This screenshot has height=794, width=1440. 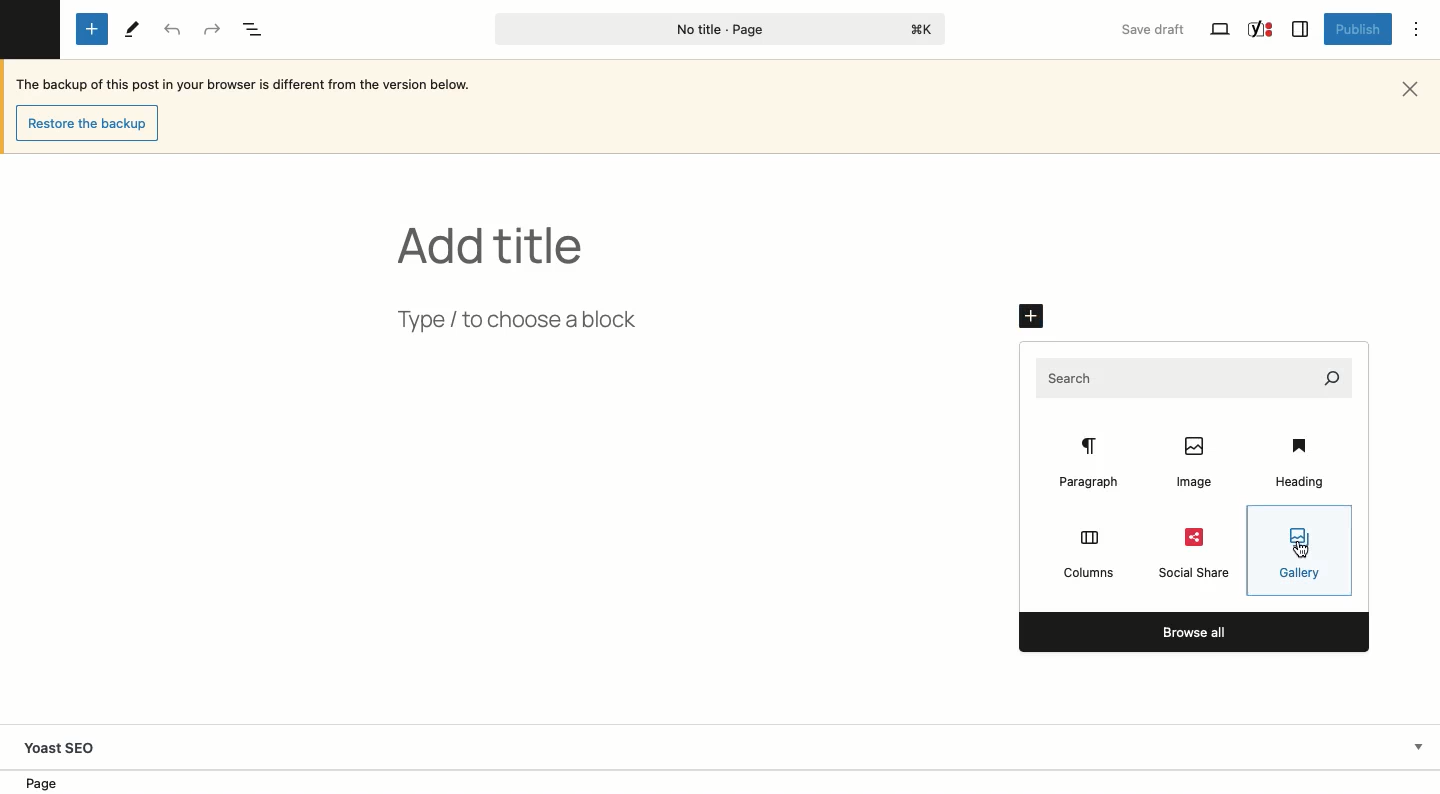 What do you see at coordinates (553, 318) in the screenshot?
I see `Type / choose a block` at bounding box center [553, 318].